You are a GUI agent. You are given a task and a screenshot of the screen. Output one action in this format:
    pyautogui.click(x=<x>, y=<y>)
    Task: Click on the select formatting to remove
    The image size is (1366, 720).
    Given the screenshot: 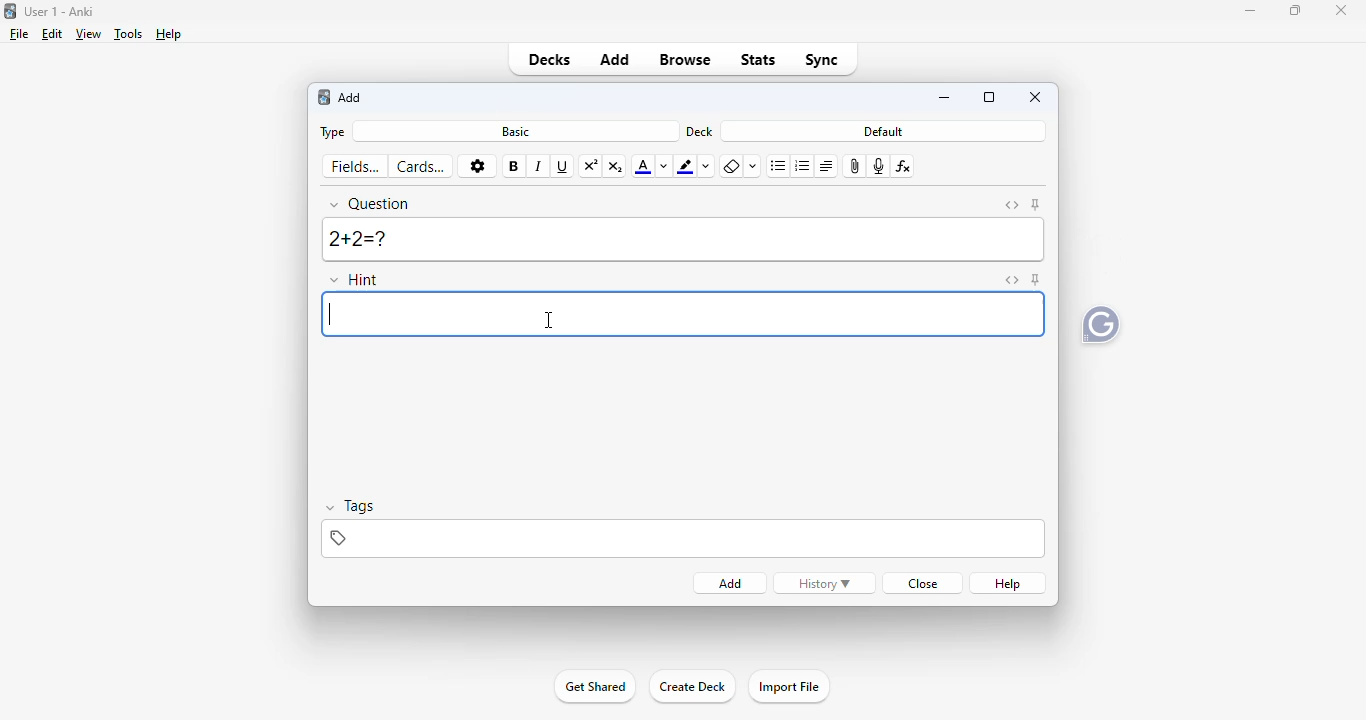 What is the action you would take?
    pyautogui.click(x=754, y=167)
    